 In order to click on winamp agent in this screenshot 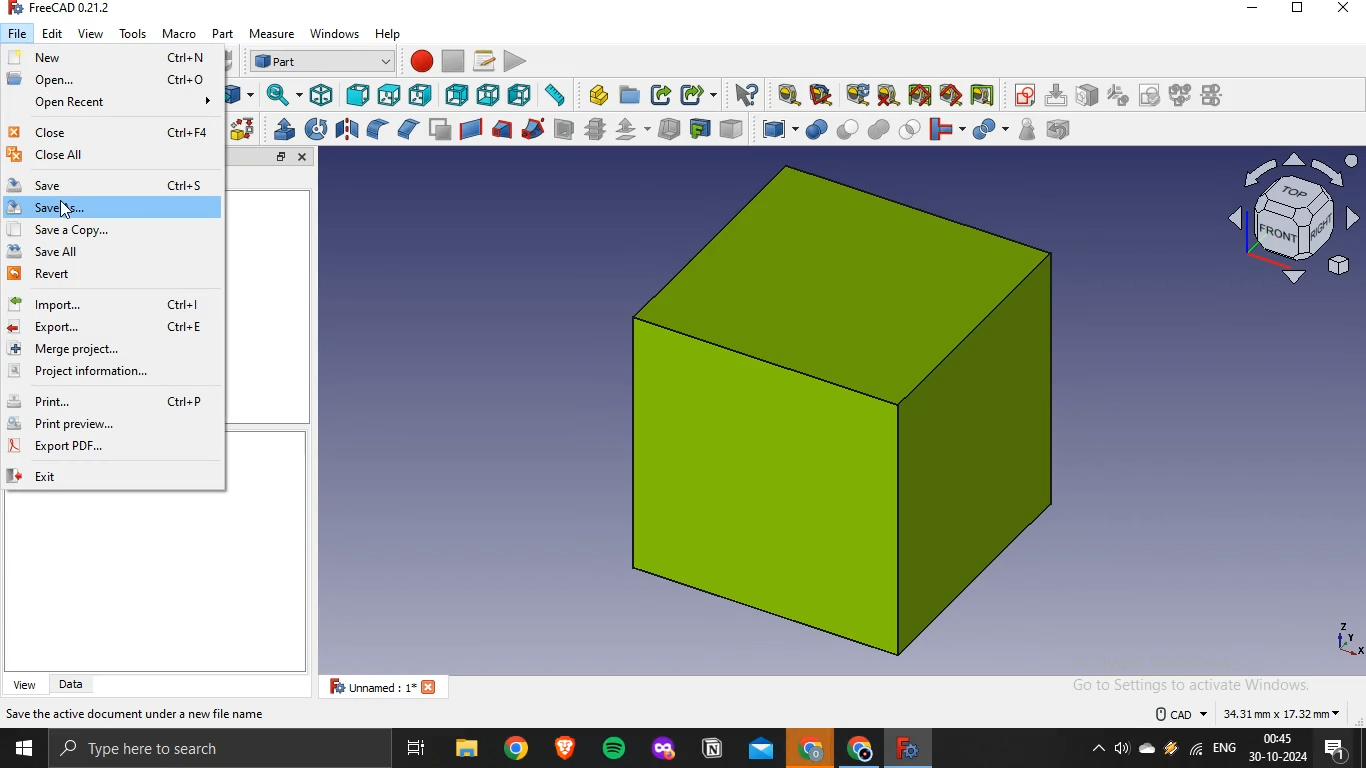, I will do `click(1174, 750)`.